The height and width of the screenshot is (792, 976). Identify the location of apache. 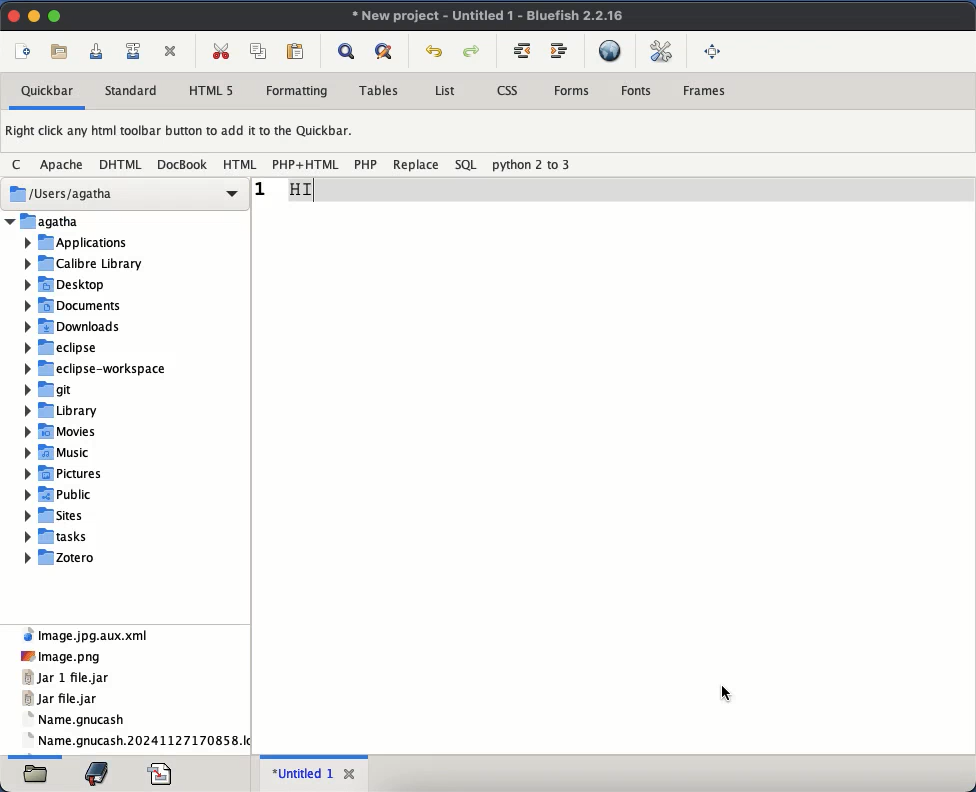
(64, 165).